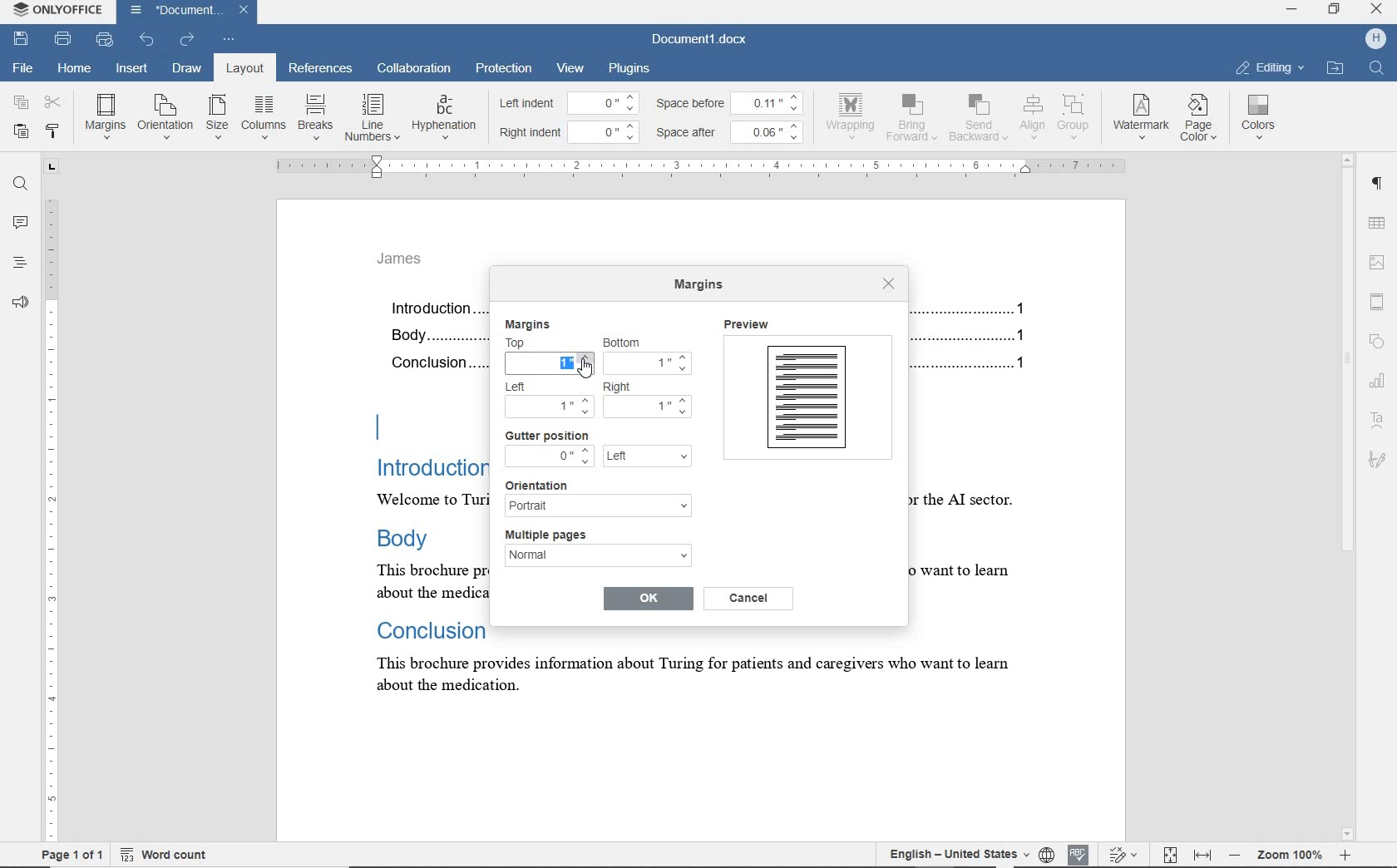 This screenshot has height=868, width=1397. I want to click on size, so click(217, 118).